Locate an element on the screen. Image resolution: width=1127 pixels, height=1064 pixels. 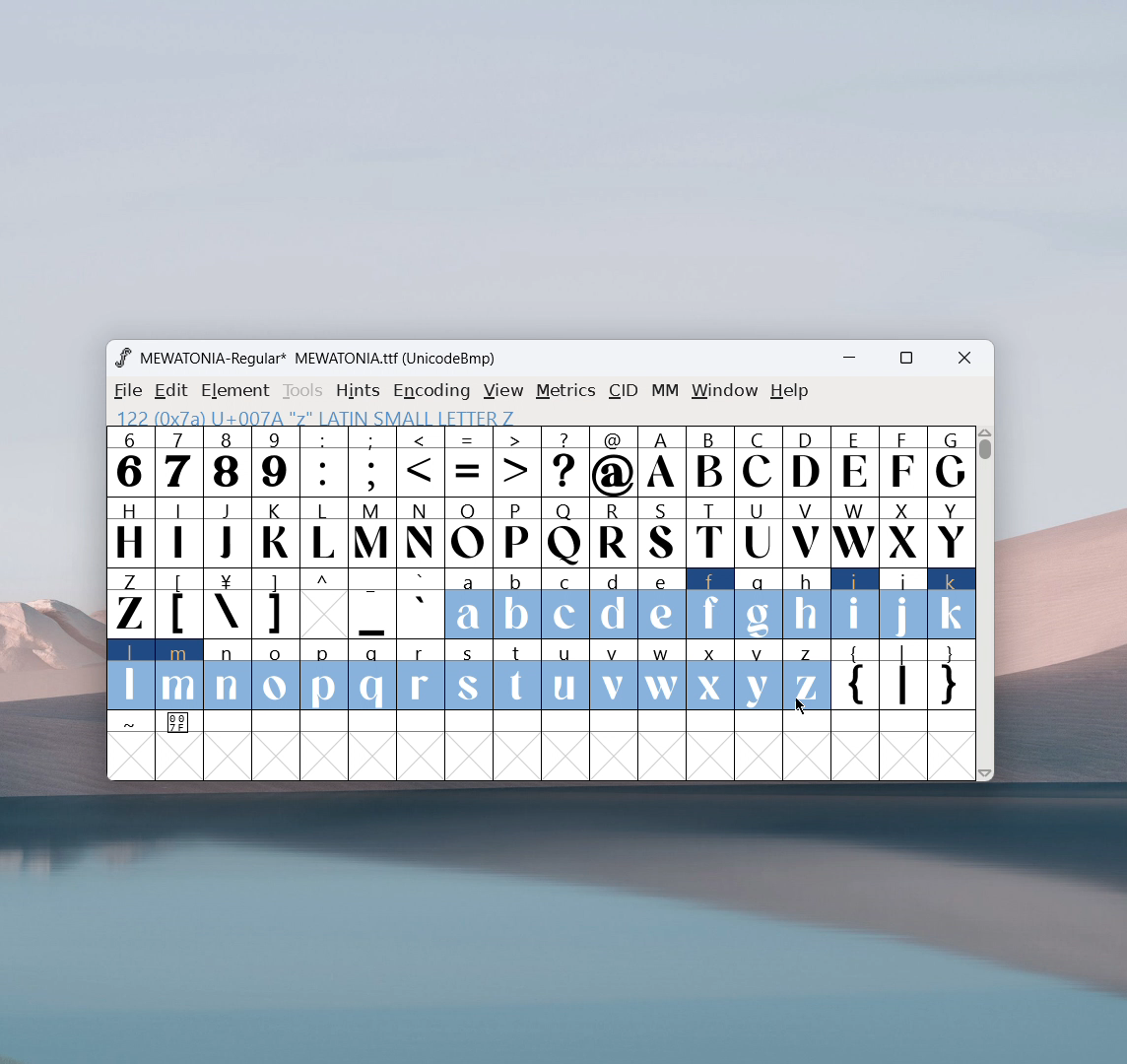
I is located at coordinates (178, 531).